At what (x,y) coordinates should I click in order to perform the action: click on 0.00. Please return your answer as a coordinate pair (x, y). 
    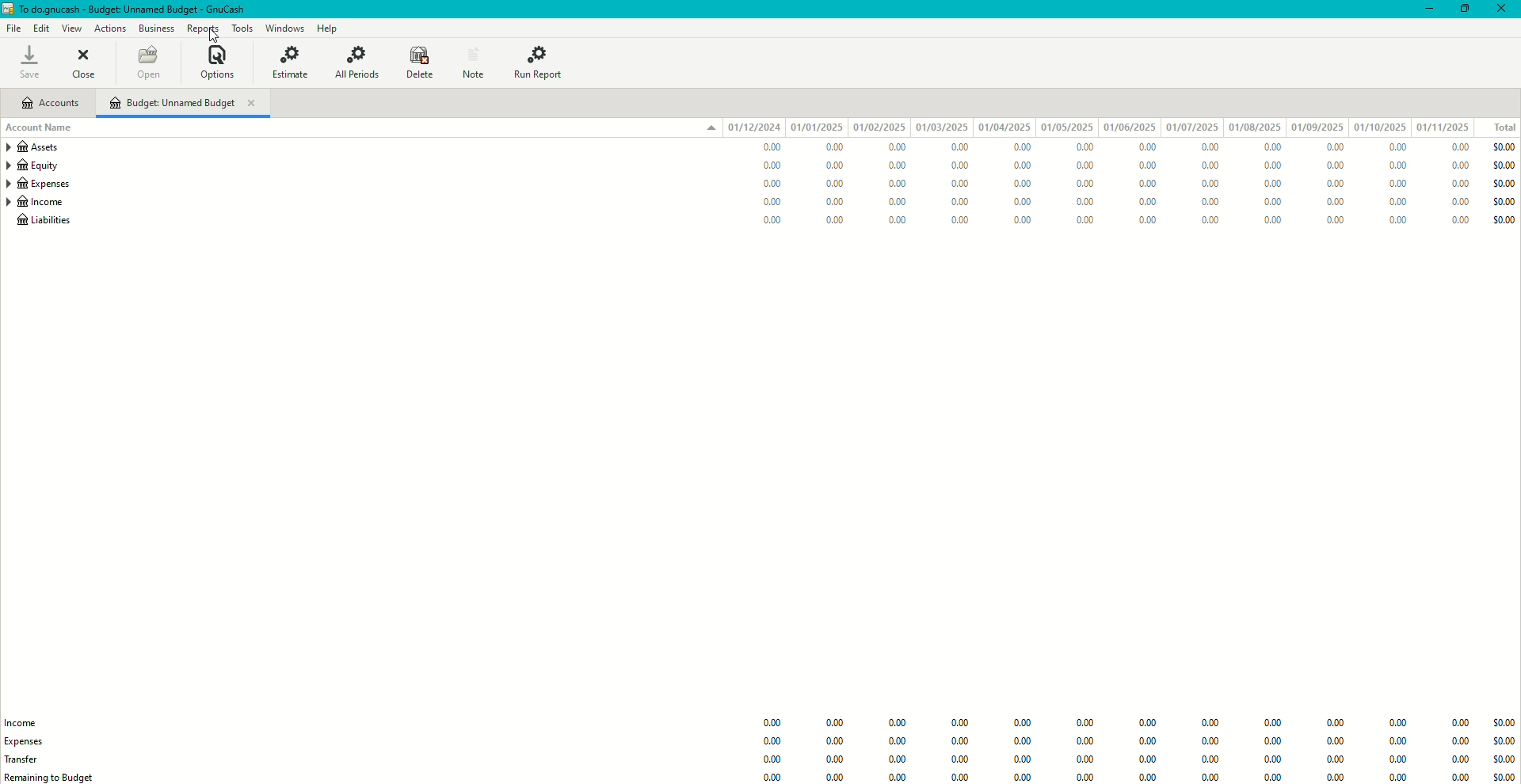
    Looking at the image, I should click on (960, 761).